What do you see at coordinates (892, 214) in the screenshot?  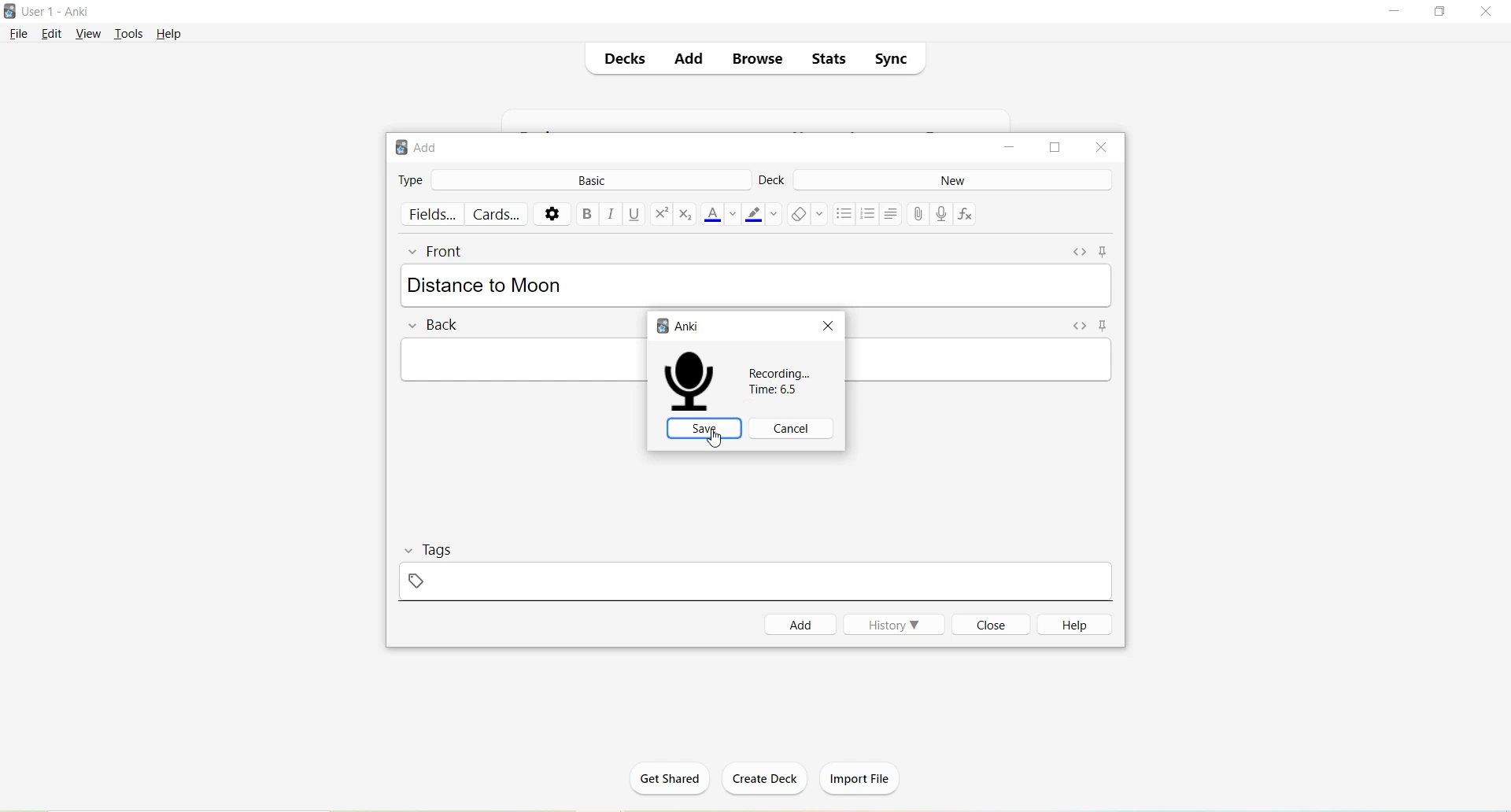 I see `Alignment` at bounding box center [892, 214].